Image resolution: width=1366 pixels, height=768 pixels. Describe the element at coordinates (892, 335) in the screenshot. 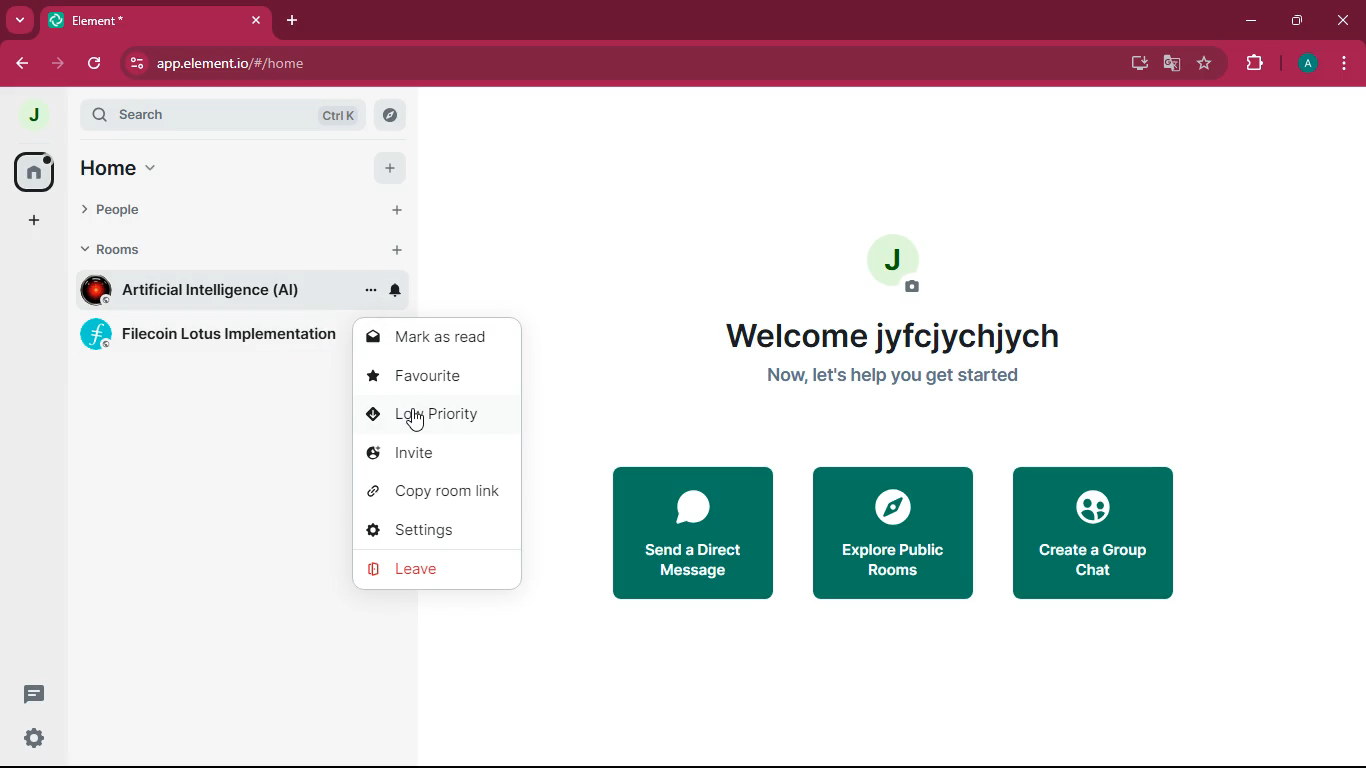

I see `welcome` at that location.